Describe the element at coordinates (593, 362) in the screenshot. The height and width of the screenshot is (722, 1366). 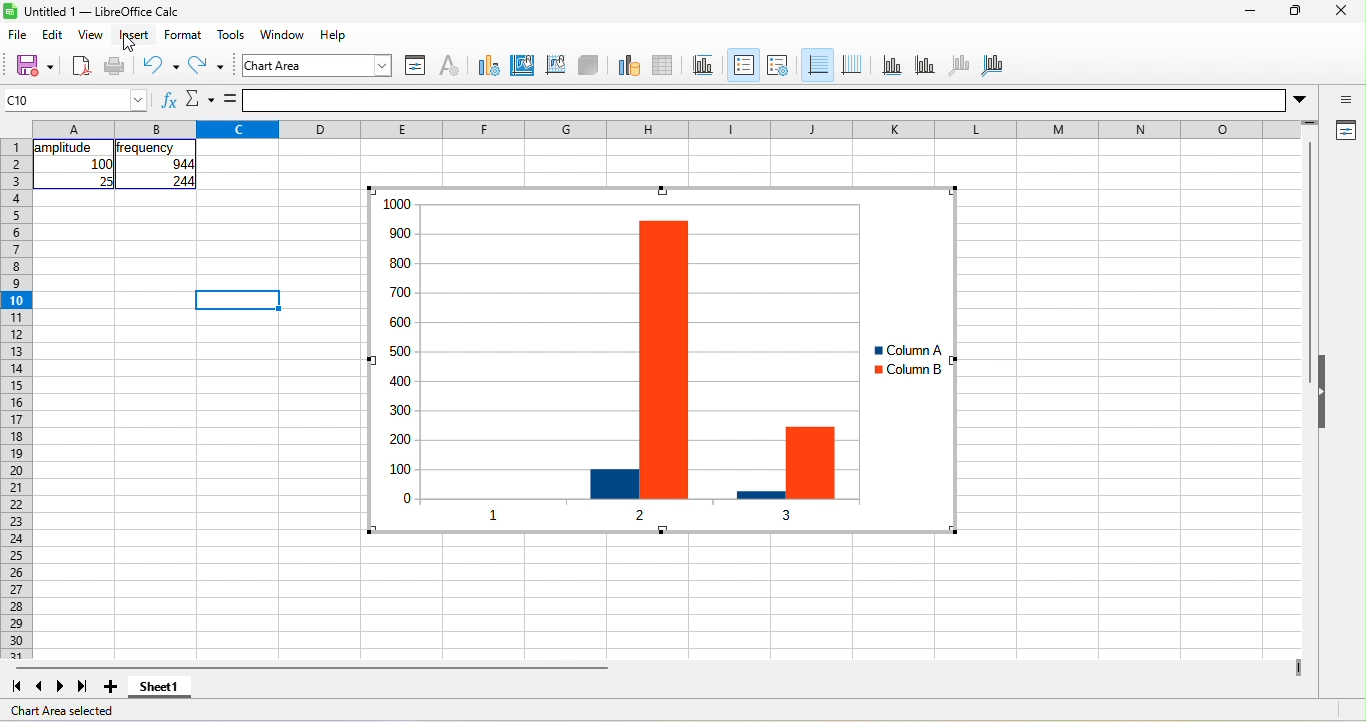
I see `chart` at that location.